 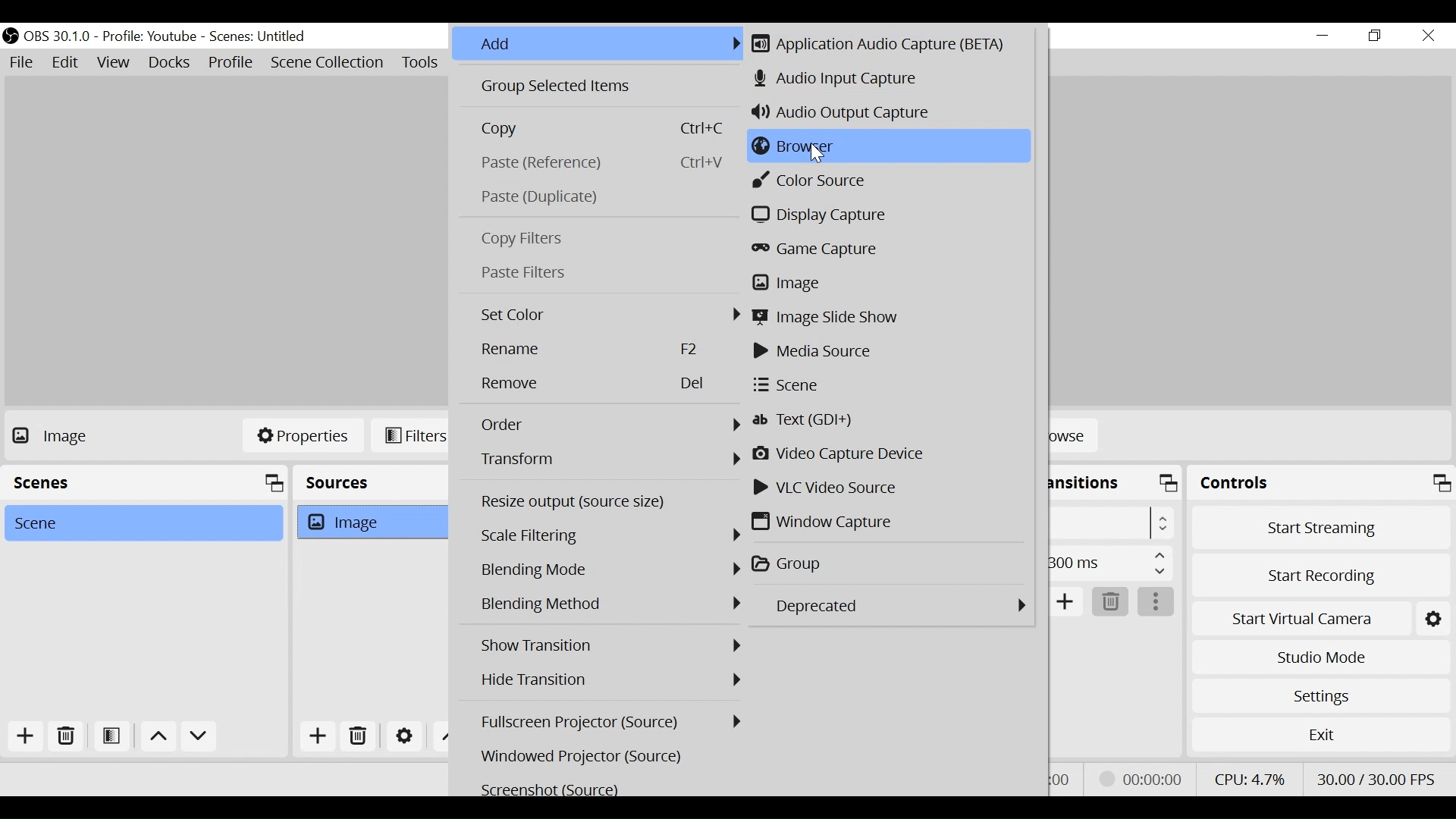 What do you see at coordinates (890, 251) in the screenshot?
I see `Game Capture` at bounding box center [890, 251].